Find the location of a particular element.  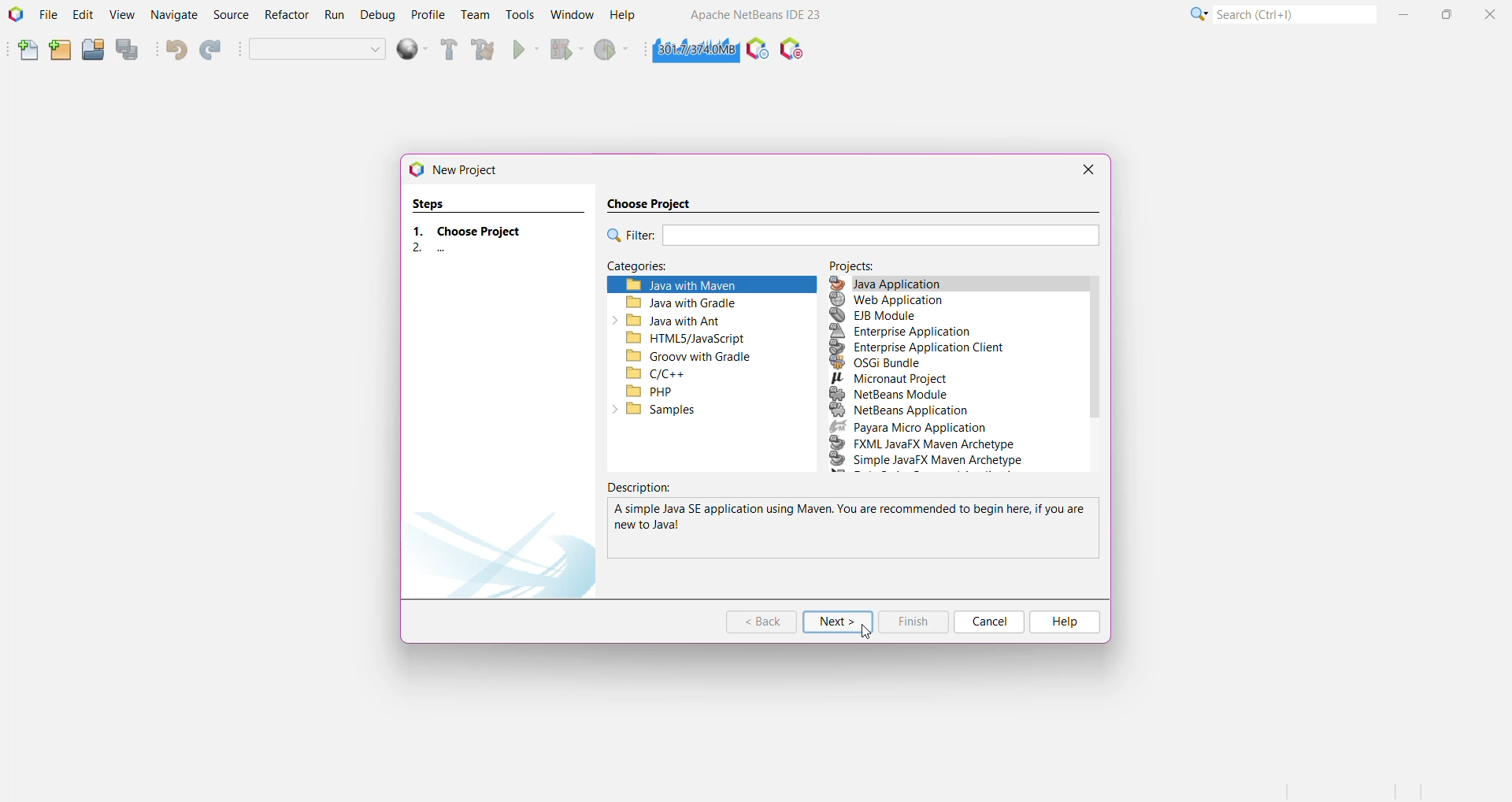

Close is located at coordinates (1489, 16).